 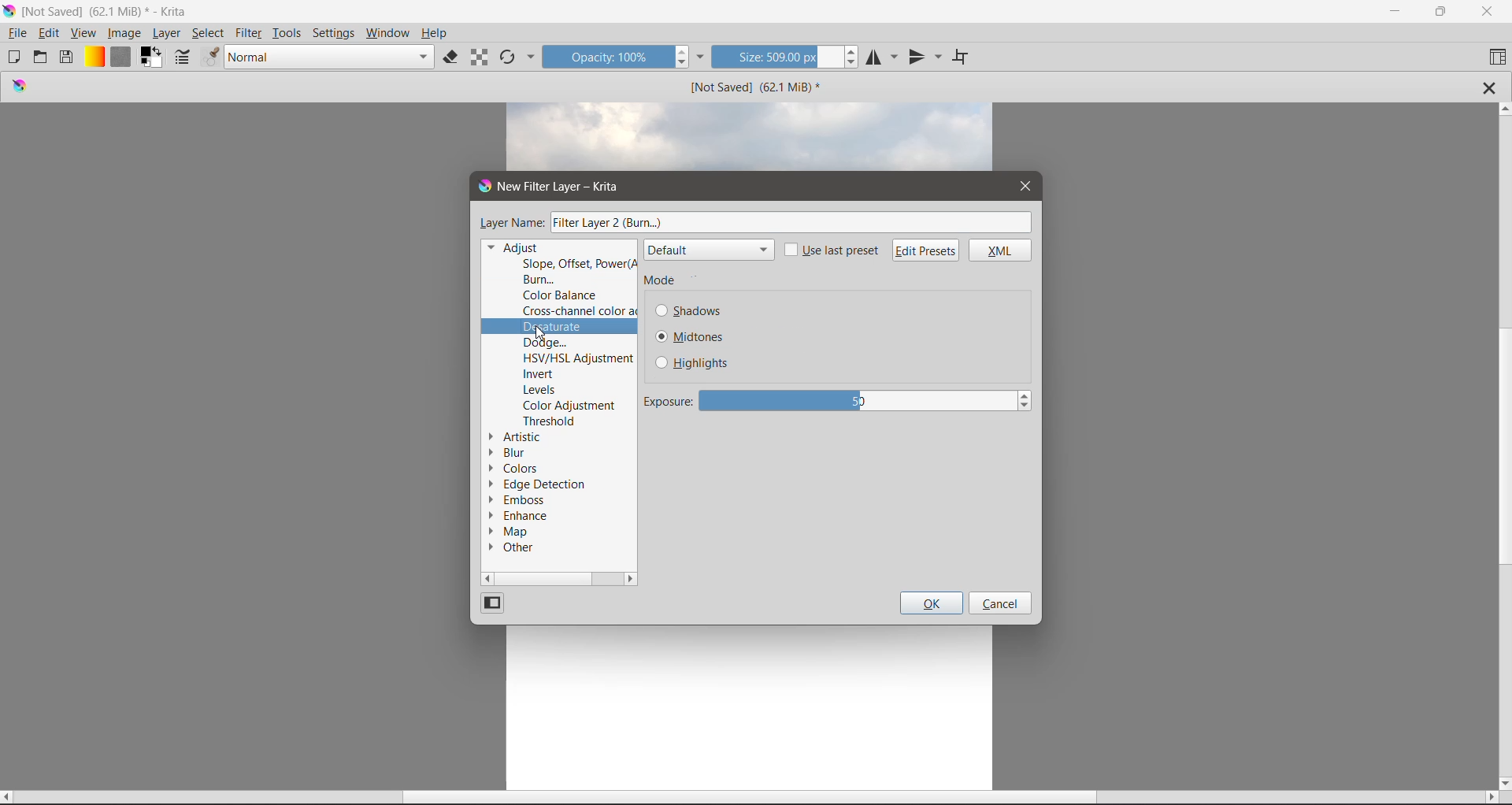 I want to click on Exposure, so click(x=669, y=399).